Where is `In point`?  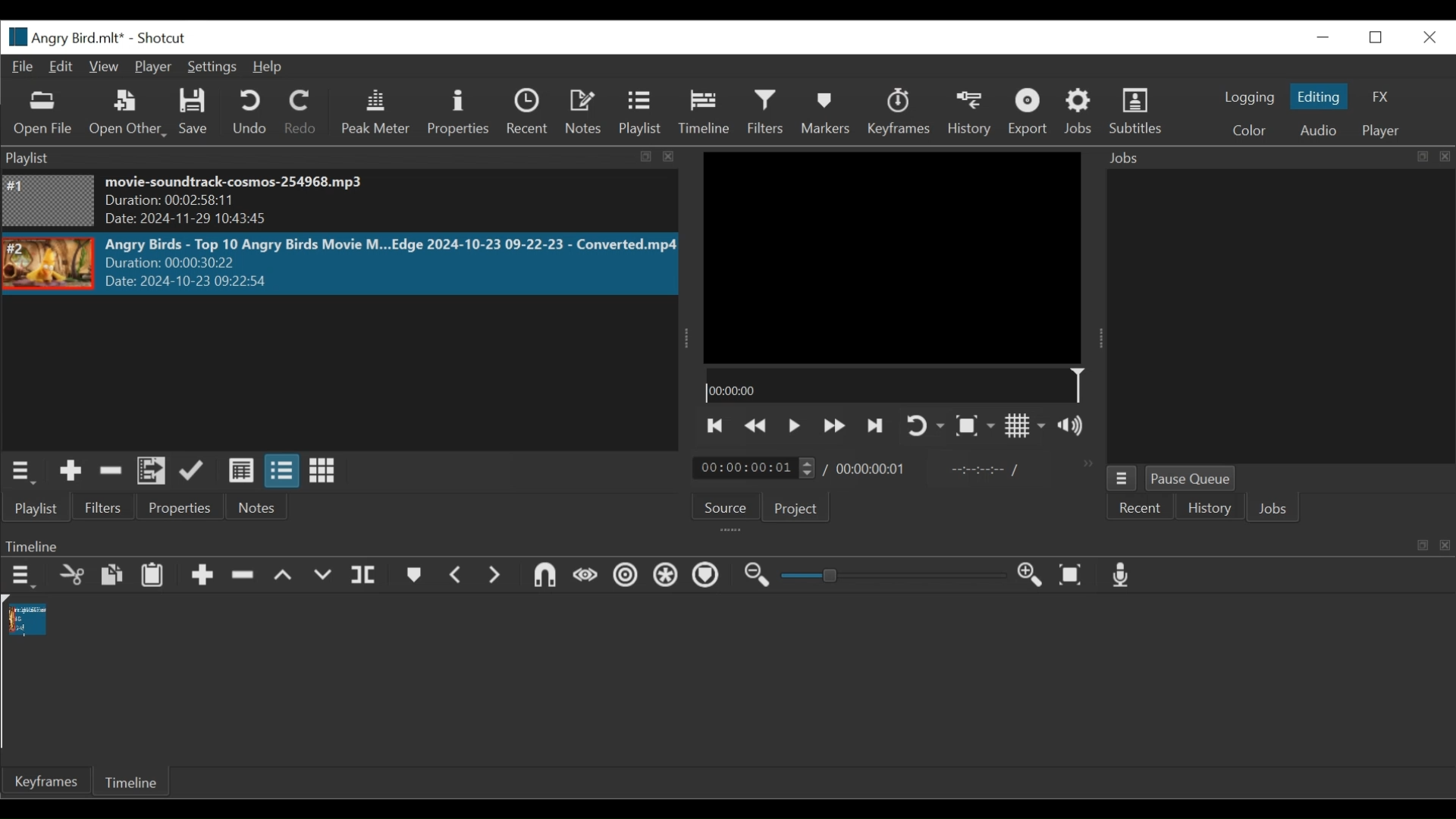 In point is located at coordinates (981, 469).